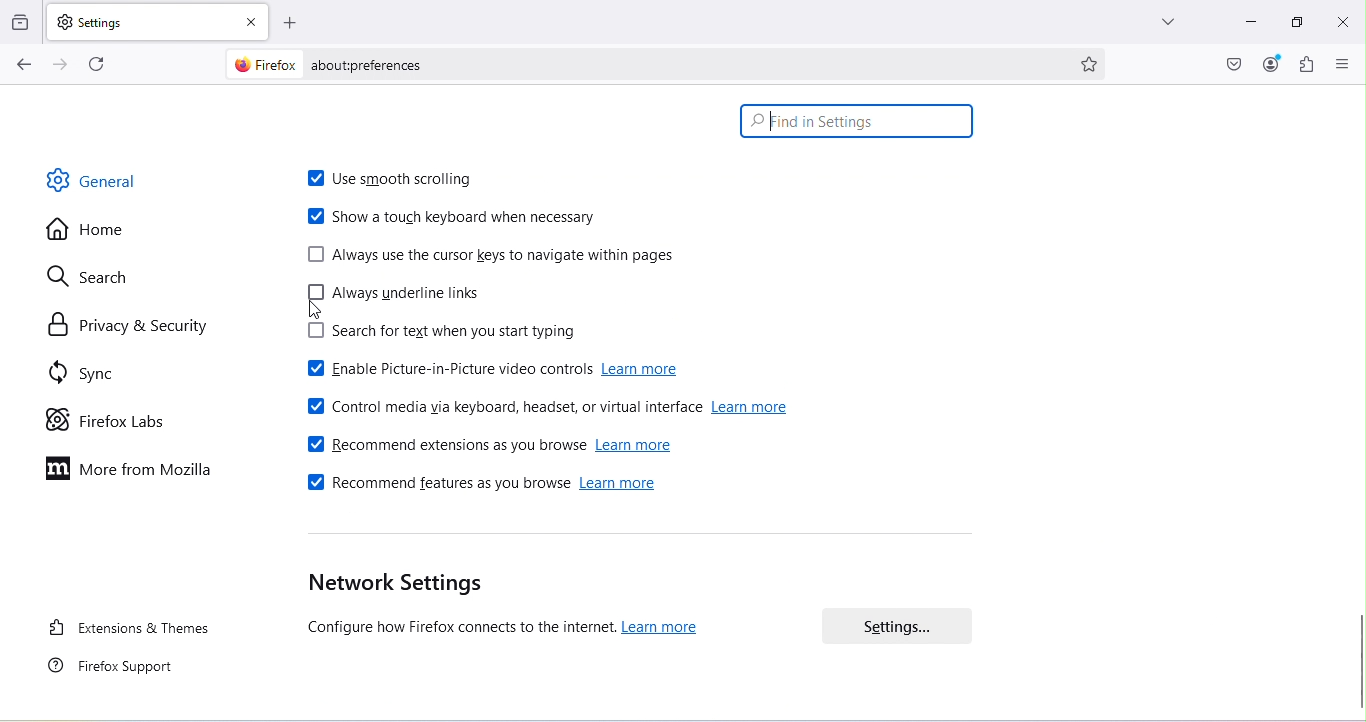  What do you see at coordinates (757, 408) in the screenshot?
I see `learn more` at bounding box center [757, 408].